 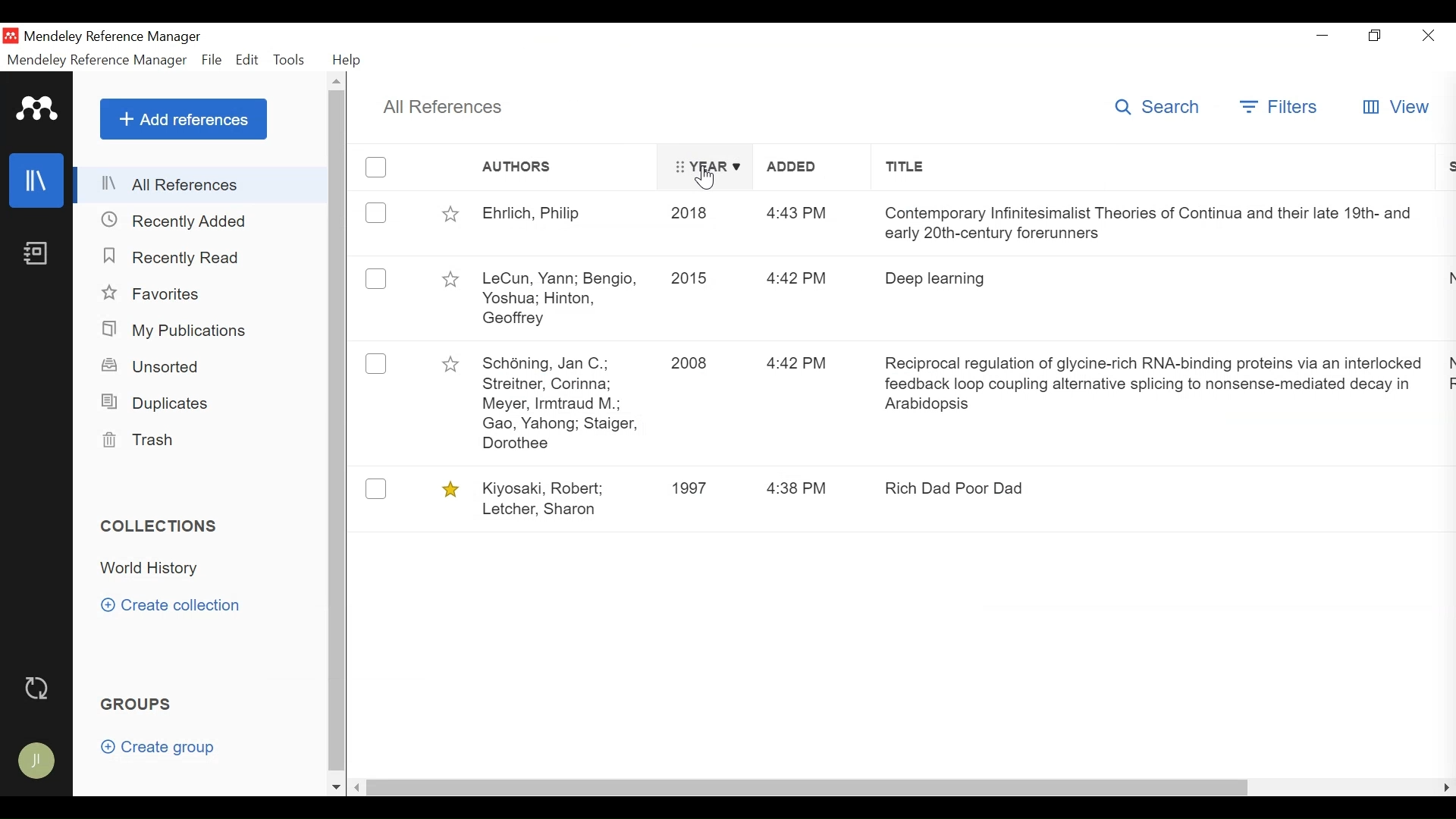 I want to click on Sync, so click(x=39, y=687).